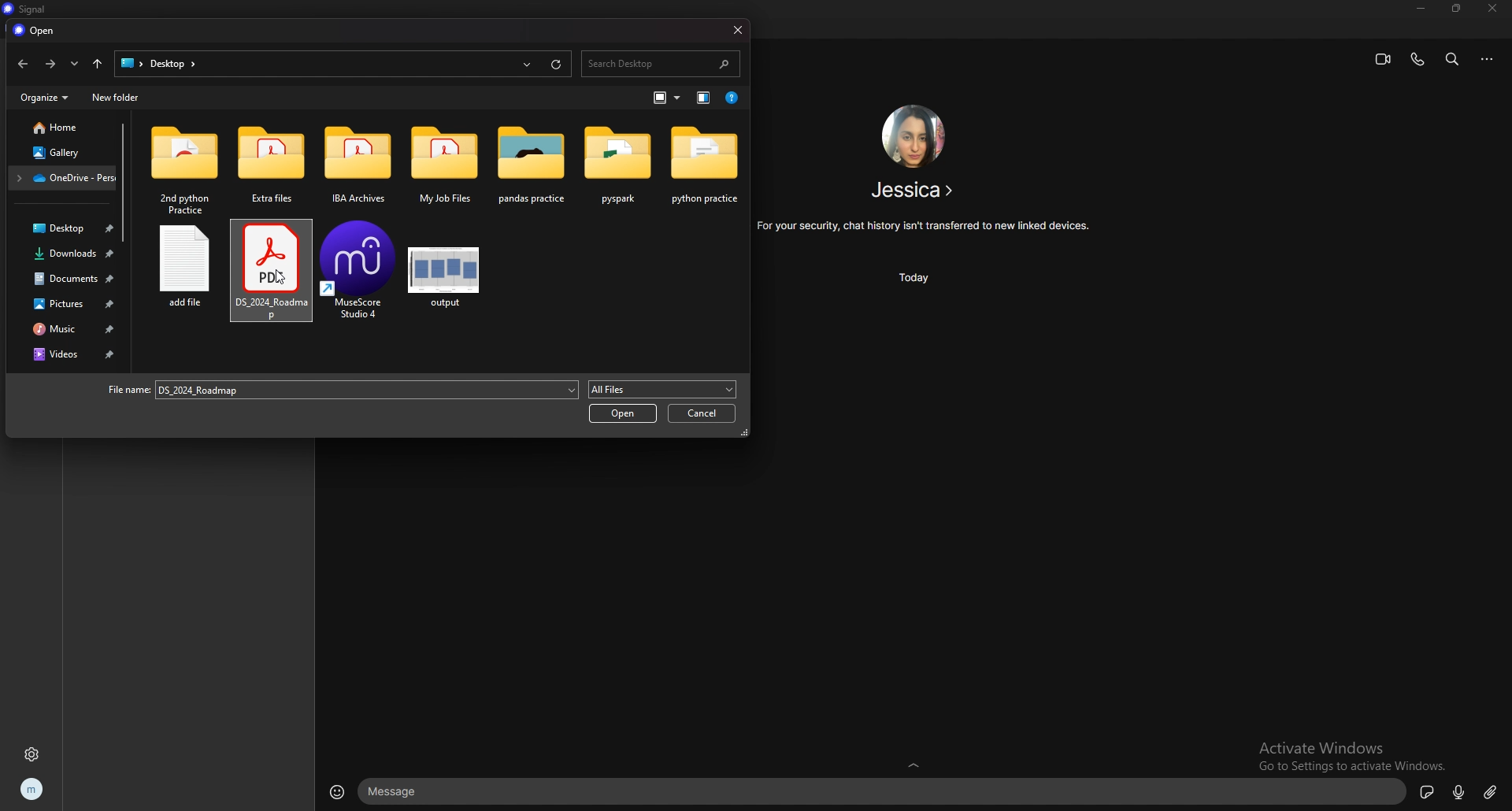 The height and width of the screenshot is (811, 1512). What do you see at coordinates (182, 278) in the screenshot?
I see `file` at bounding box center [182, 278].